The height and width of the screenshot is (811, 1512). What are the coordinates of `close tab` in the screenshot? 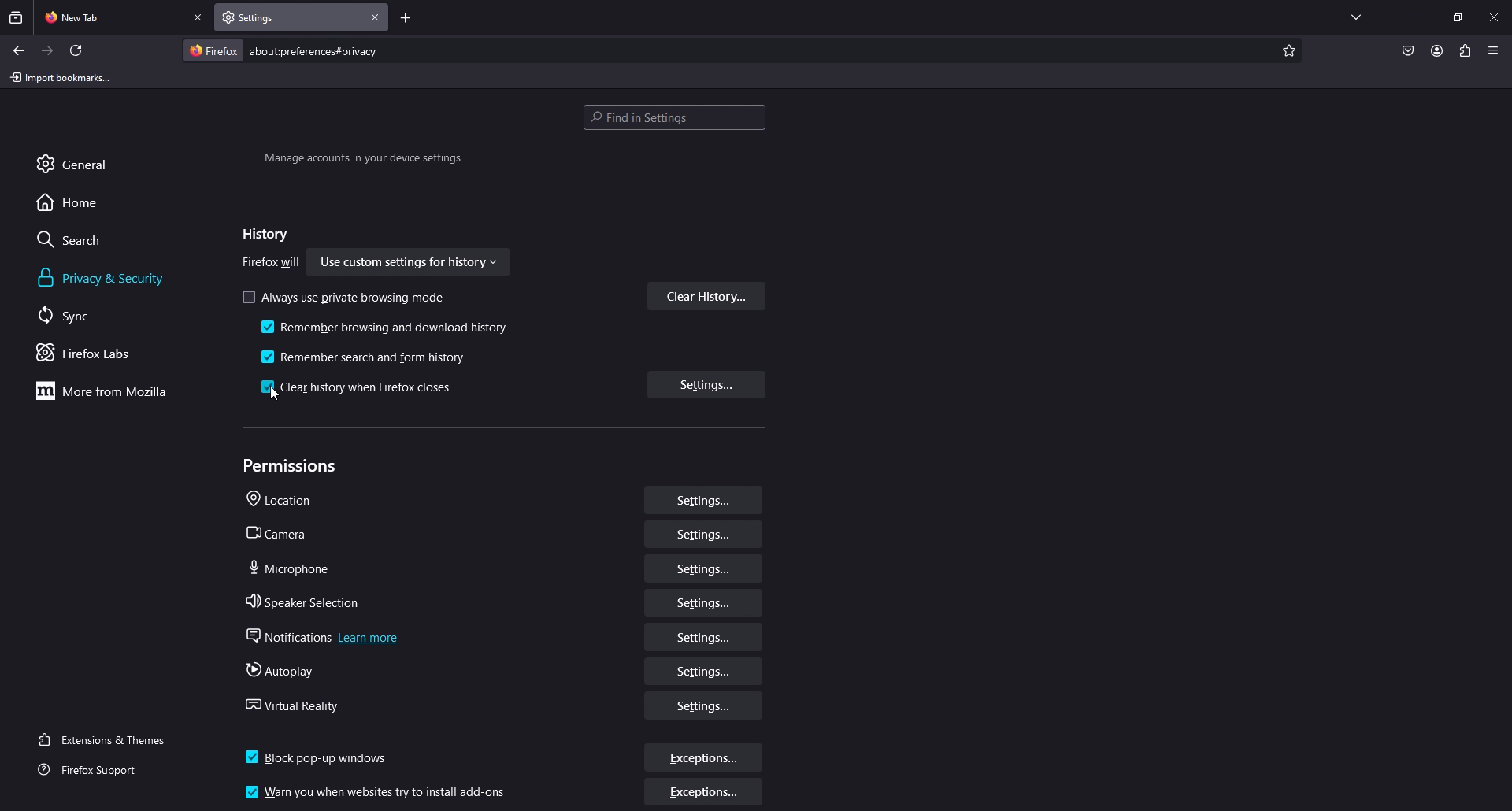 It's located at (376, 17).